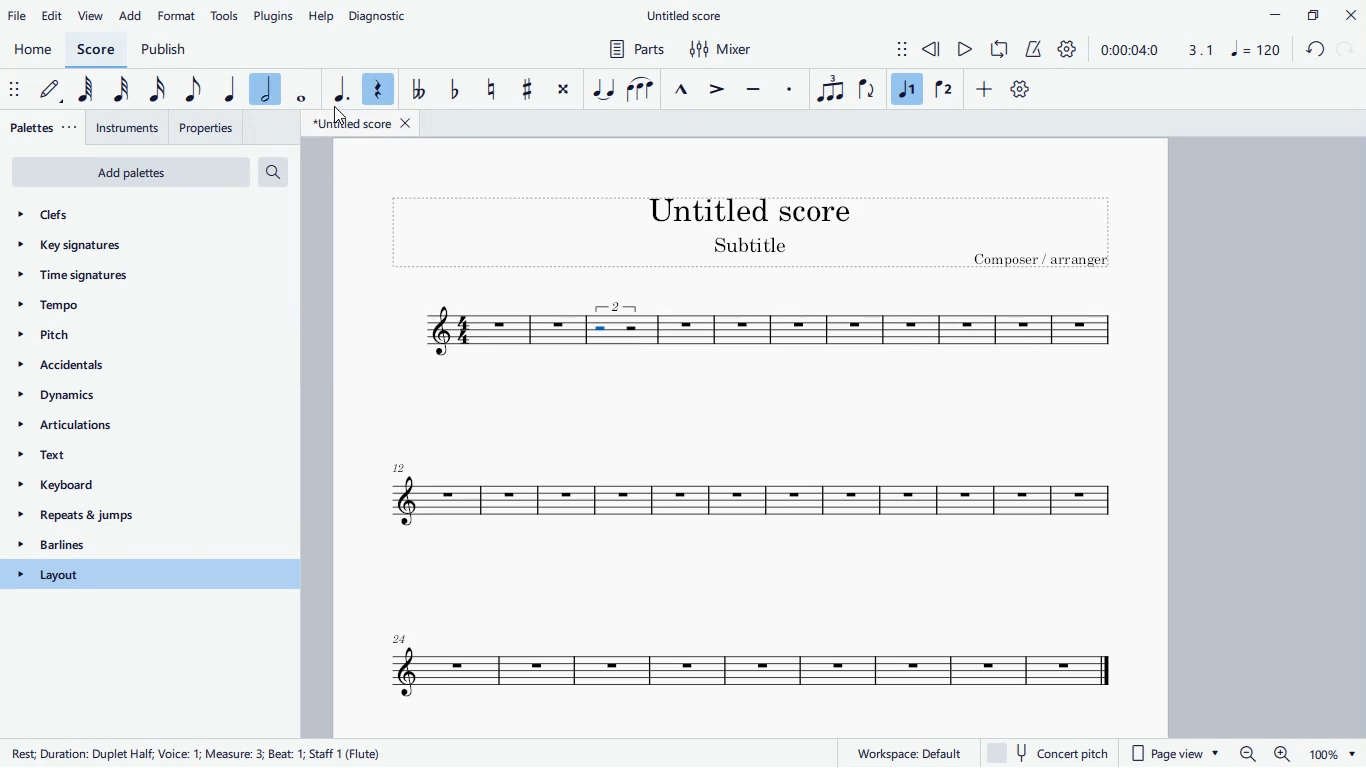 Image resolution: width=1366 pixels, height=768 pixels. Describe the element at coordinates (1001, 49) in the screenshot. I see `loop playback` at that location.